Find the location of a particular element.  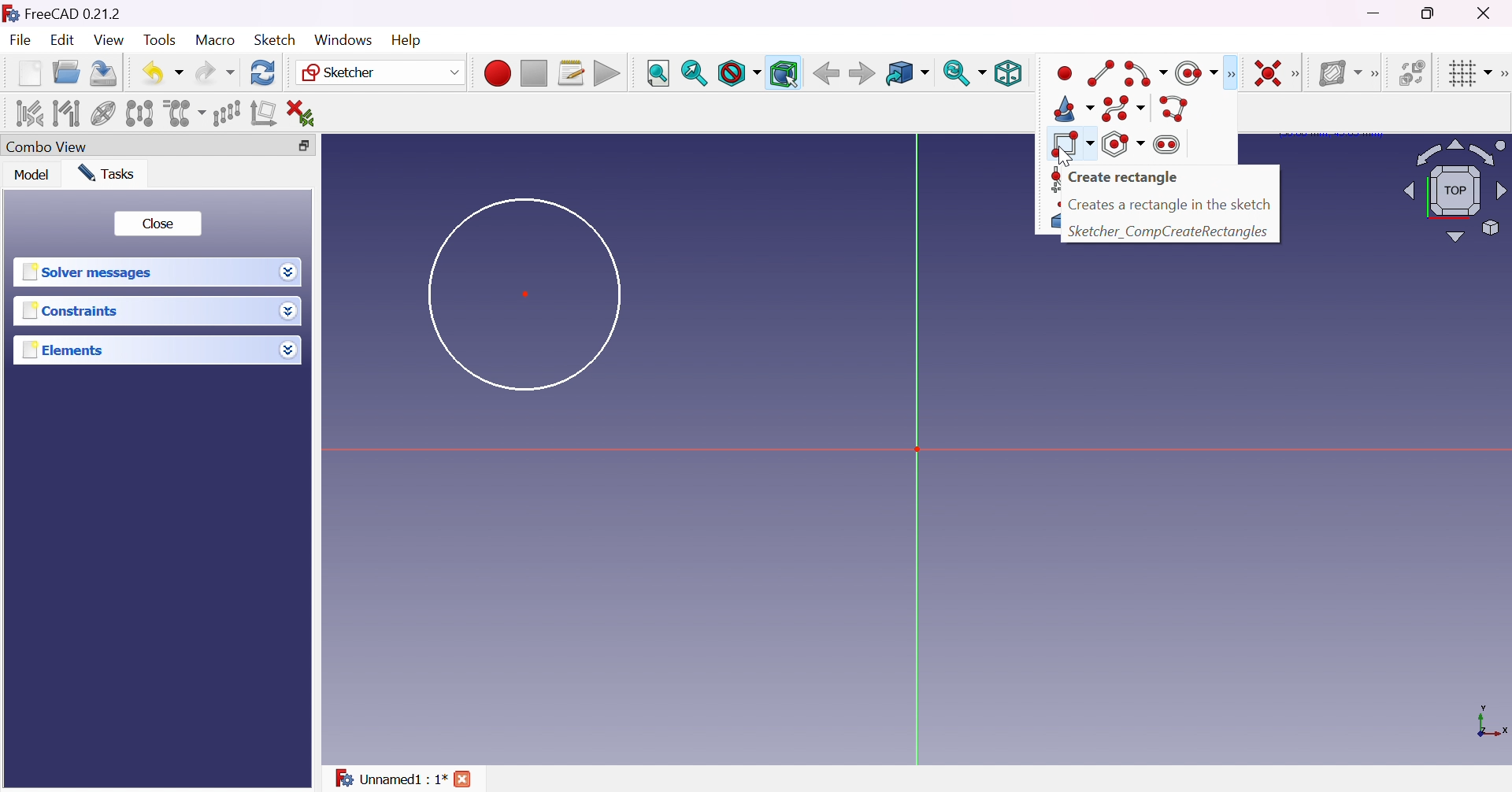

Symmetry is located at coordinates (140, 113).